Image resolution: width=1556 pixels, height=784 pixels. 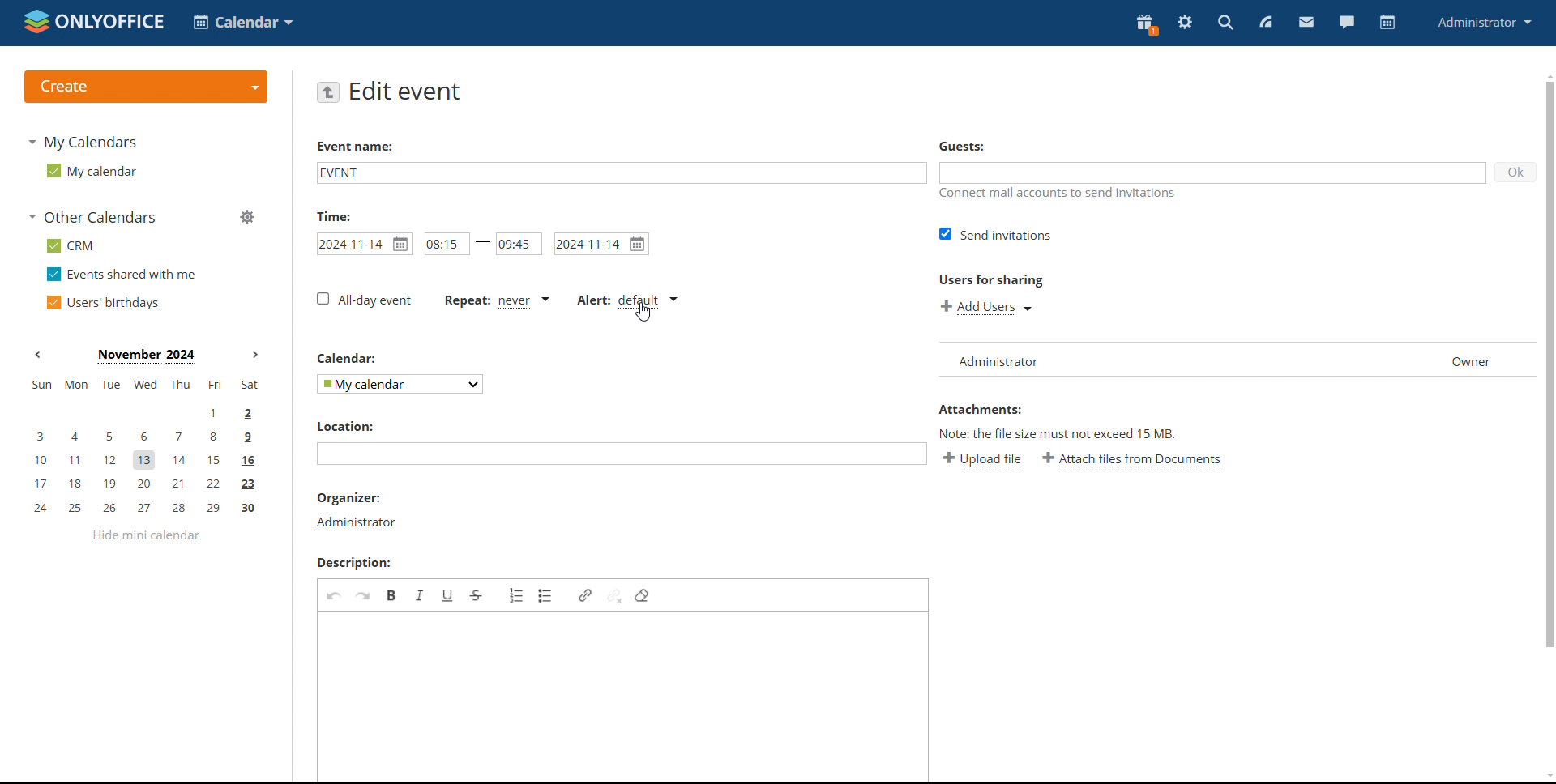 What do you see at coordinates (333, 594) in the screenshot?
I see `undo` at bounding box center [333, 594].